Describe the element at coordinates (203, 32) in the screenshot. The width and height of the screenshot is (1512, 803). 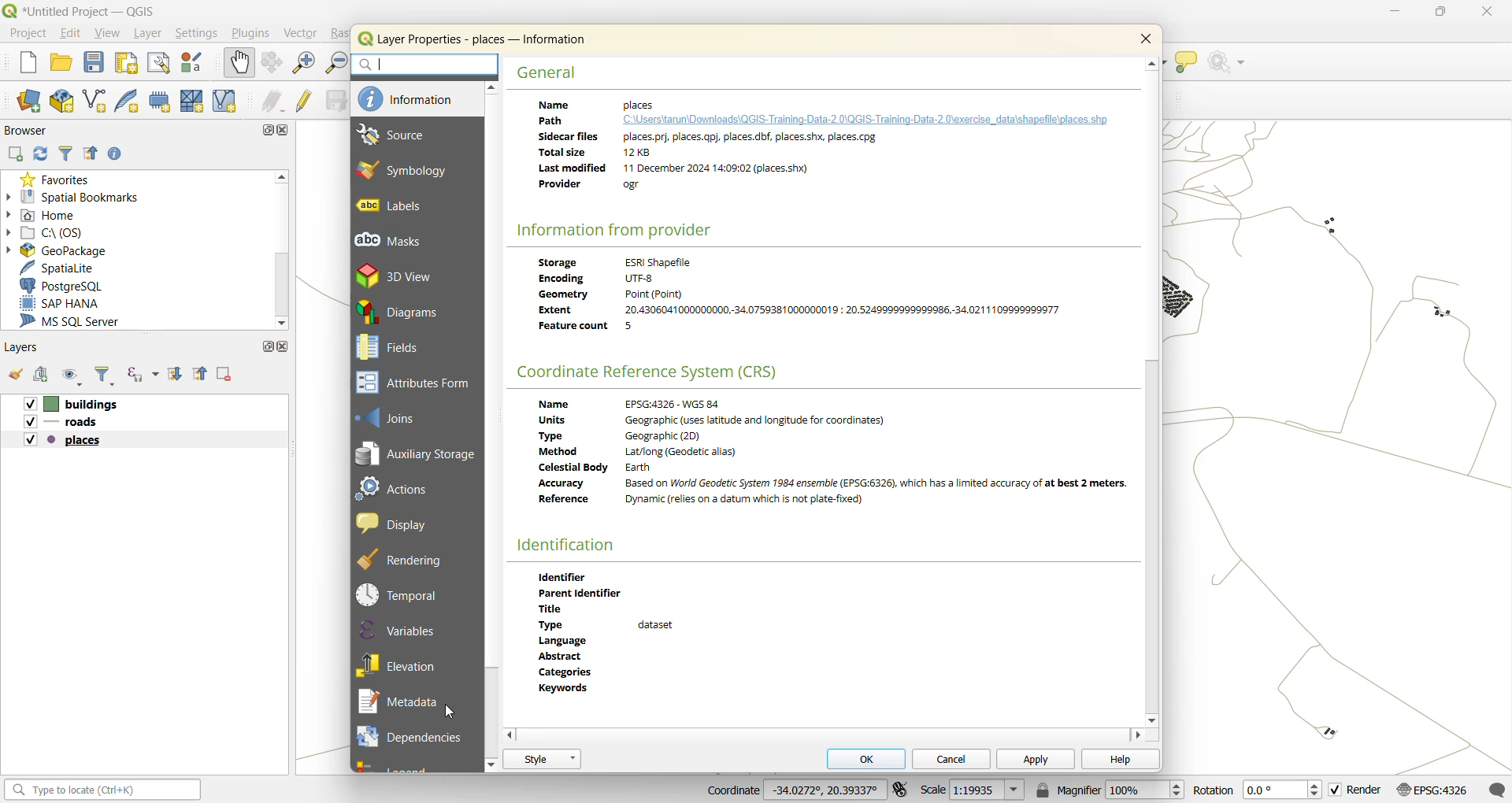
I see `settings` at that location.